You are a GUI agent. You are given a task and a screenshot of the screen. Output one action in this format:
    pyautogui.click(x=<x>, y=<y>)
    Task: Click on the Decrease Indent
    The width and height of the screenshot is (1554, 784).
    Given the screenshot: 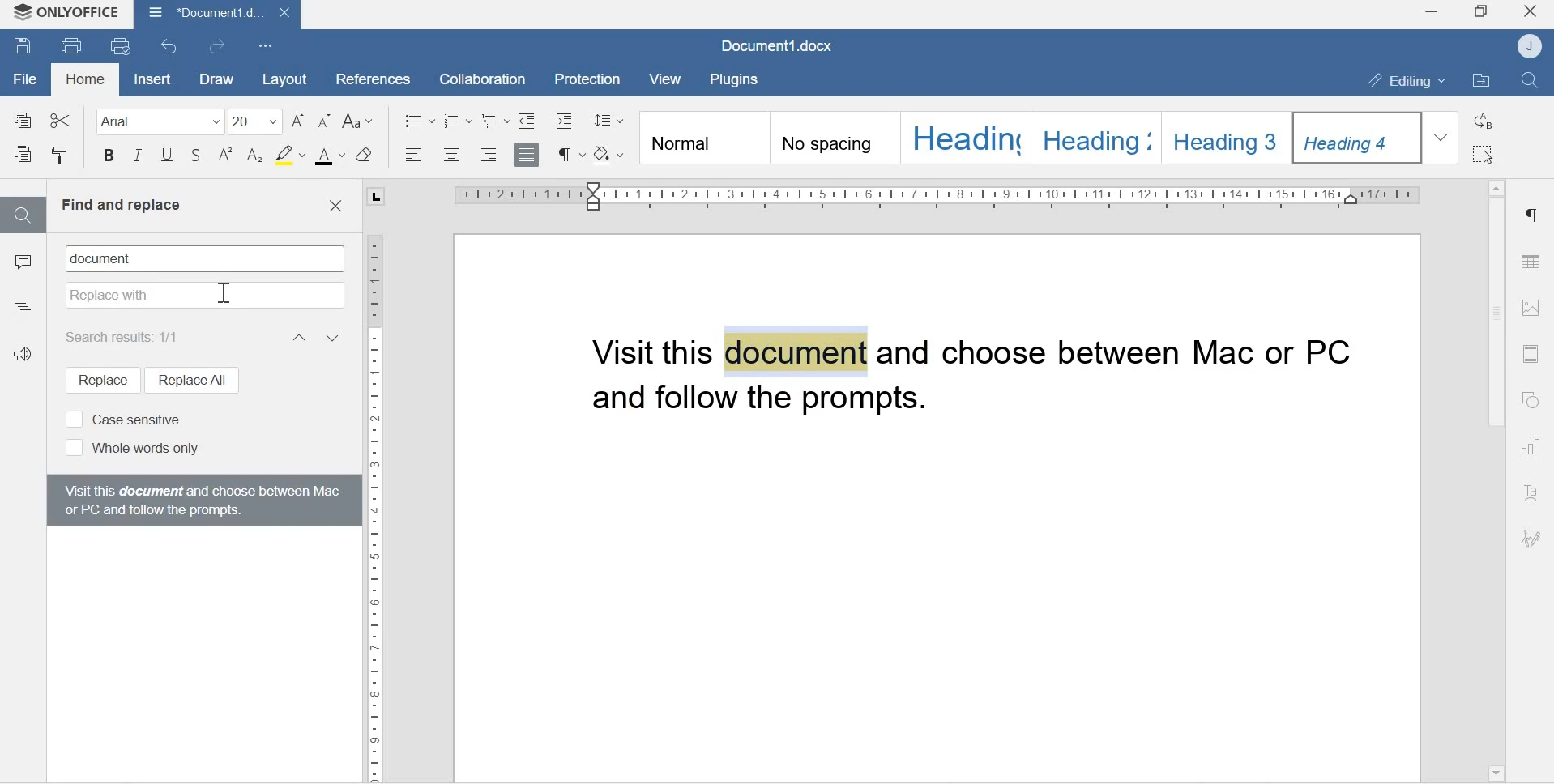 What is the action you would take?
    pyautogui.click(x=568, y=120)
    